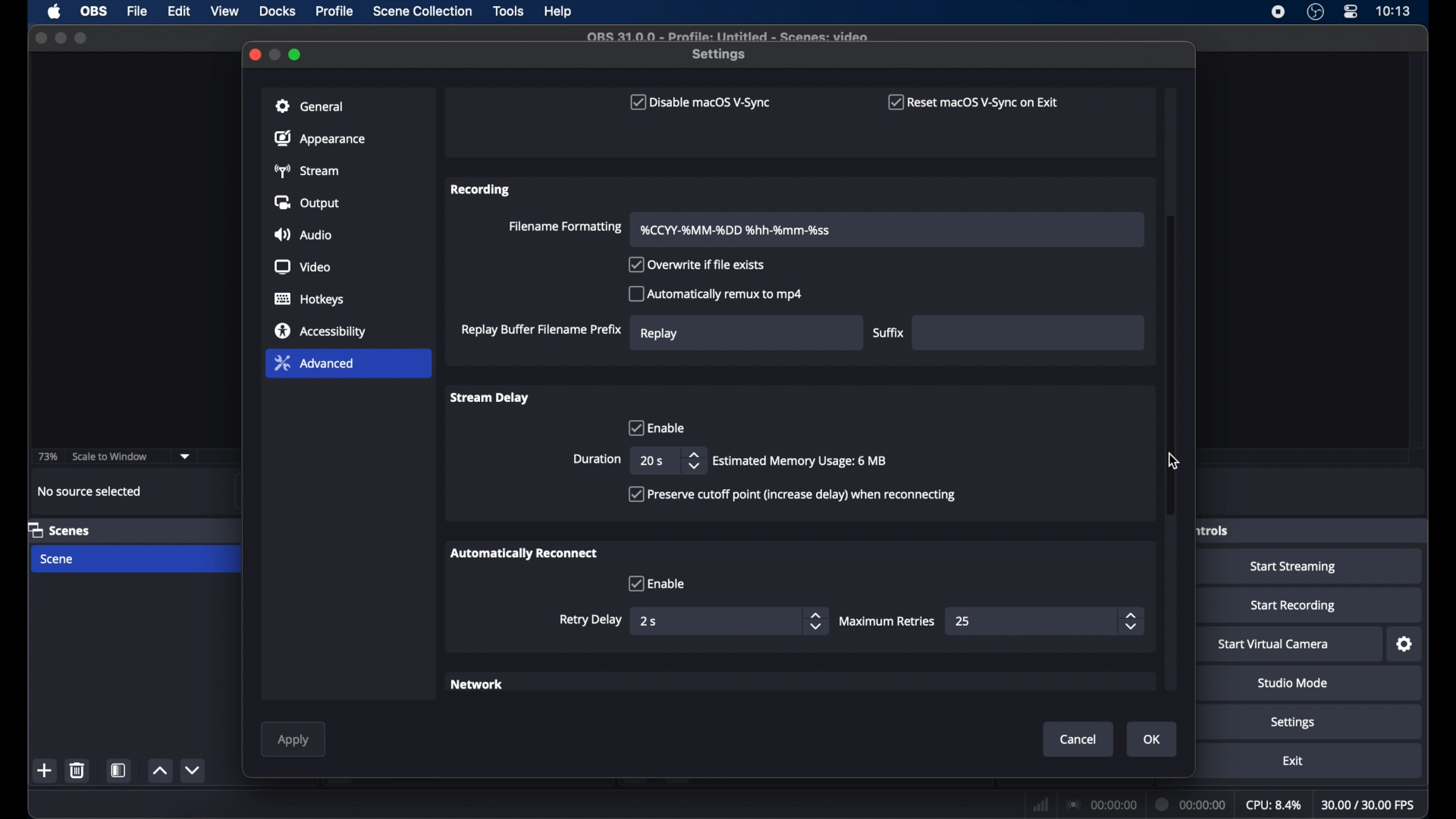  I want to click on overwrite if file exists , so click(698, 265).